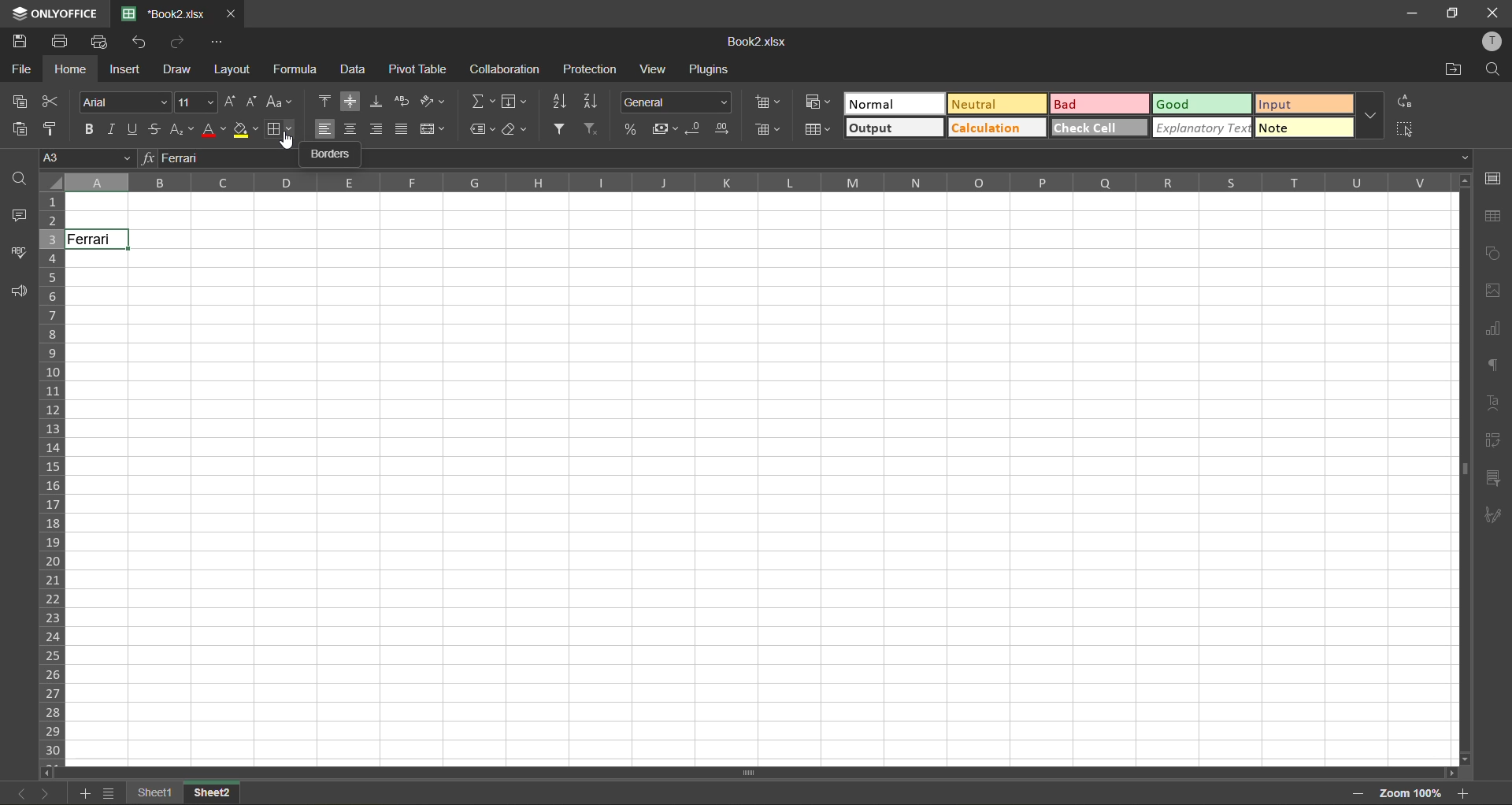 The image size is (1512, 805). I want to click on paste, so click(19, 129).